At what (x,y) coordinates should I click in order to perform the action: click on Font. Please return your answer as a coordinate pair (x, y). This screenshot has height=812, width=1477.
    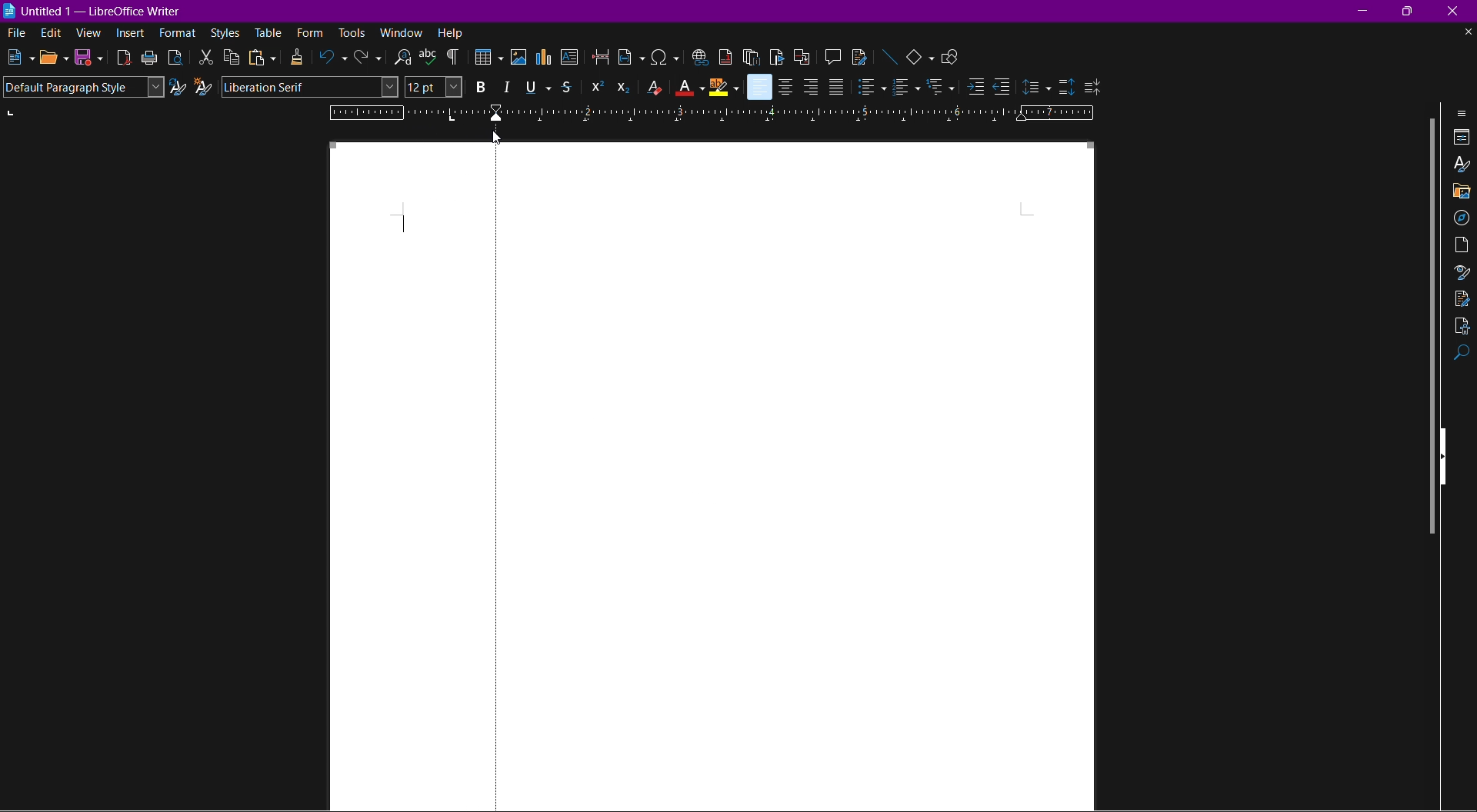
    Looking at the image, I should click on (311, 88).